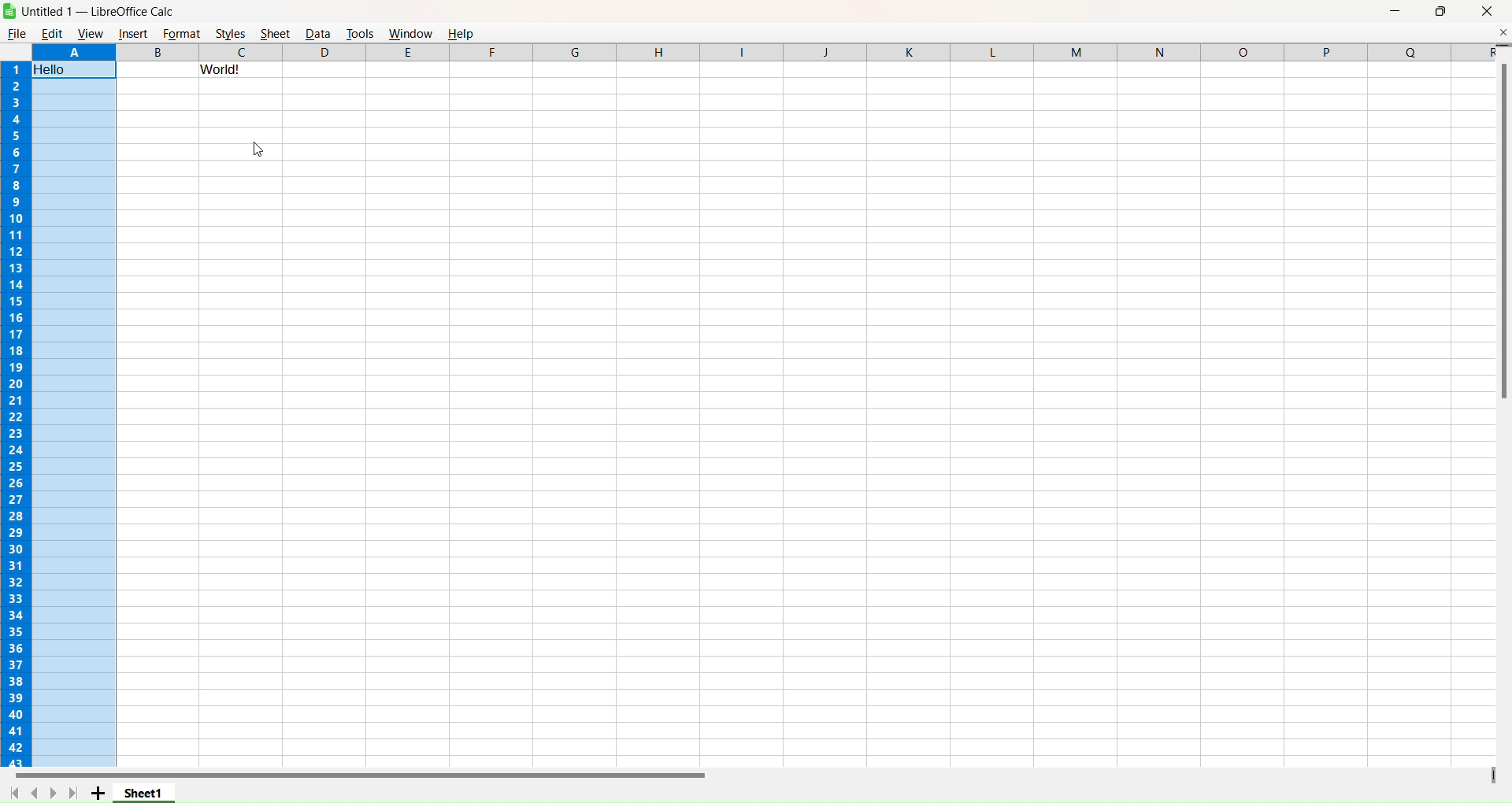 The width and height of the screenshot is (1512, 803). I want to click on cursor, so click(260, 150).